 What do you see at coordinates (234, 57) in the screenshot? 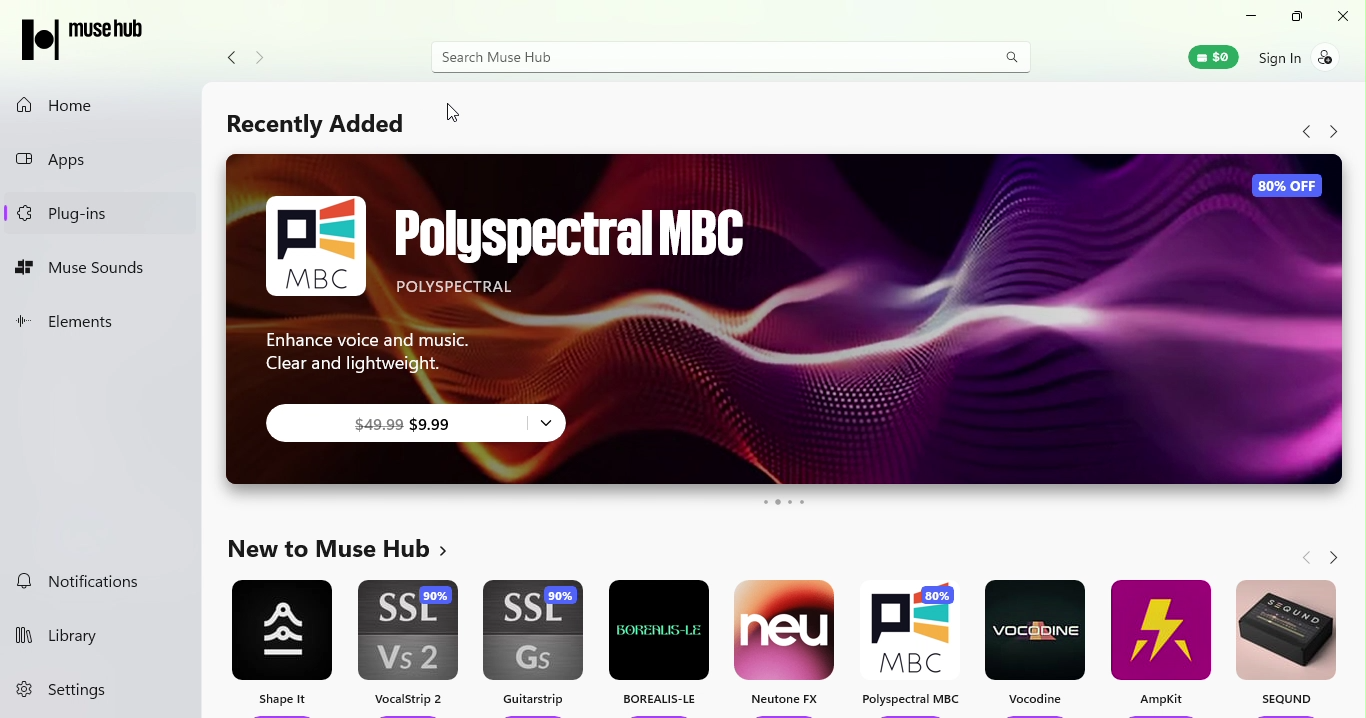
I see `Navigate back` at bounding box center [234, 57].